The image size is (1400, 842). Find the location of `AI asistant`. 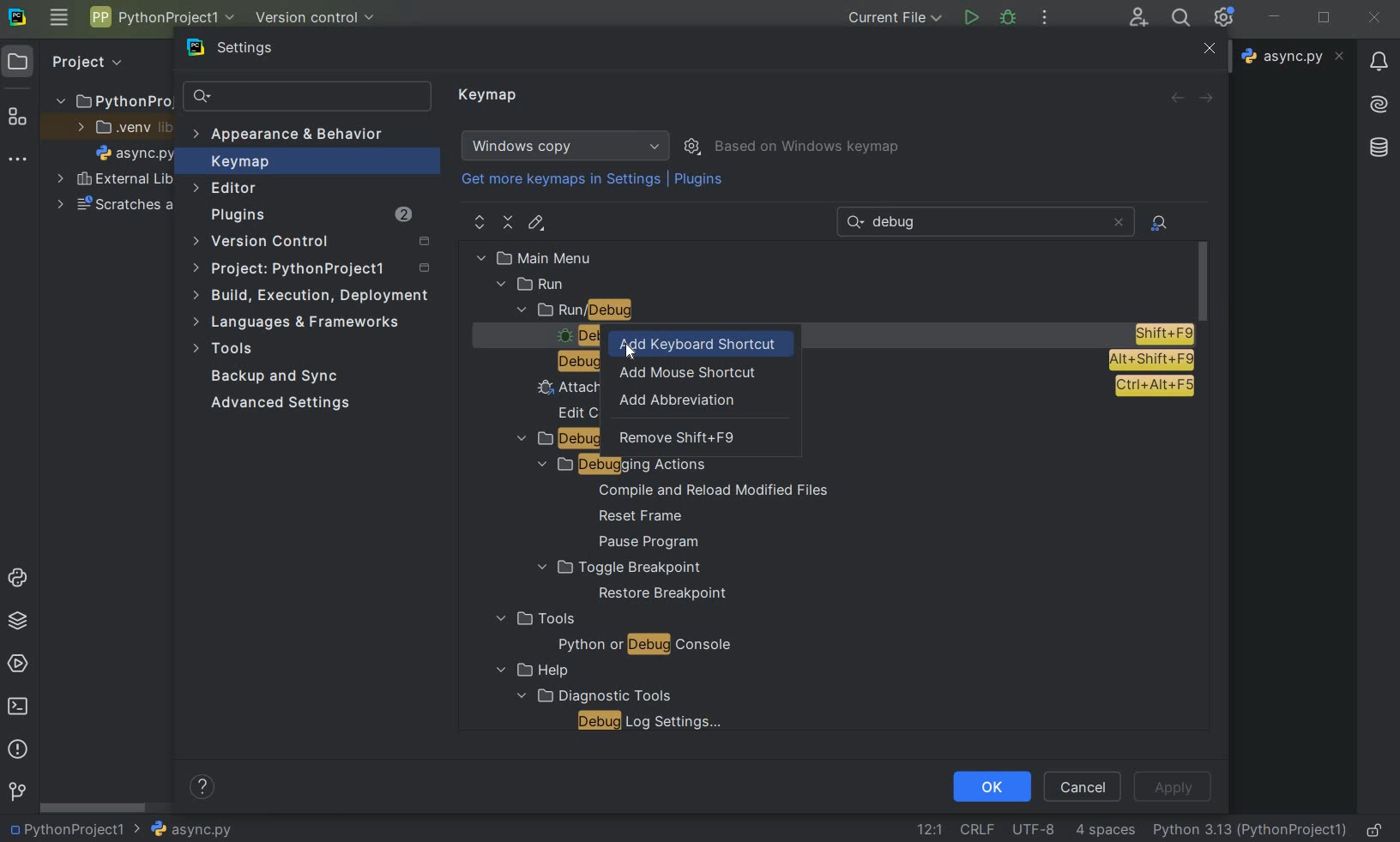

AI asistant is located at coordinates (1377, 99).